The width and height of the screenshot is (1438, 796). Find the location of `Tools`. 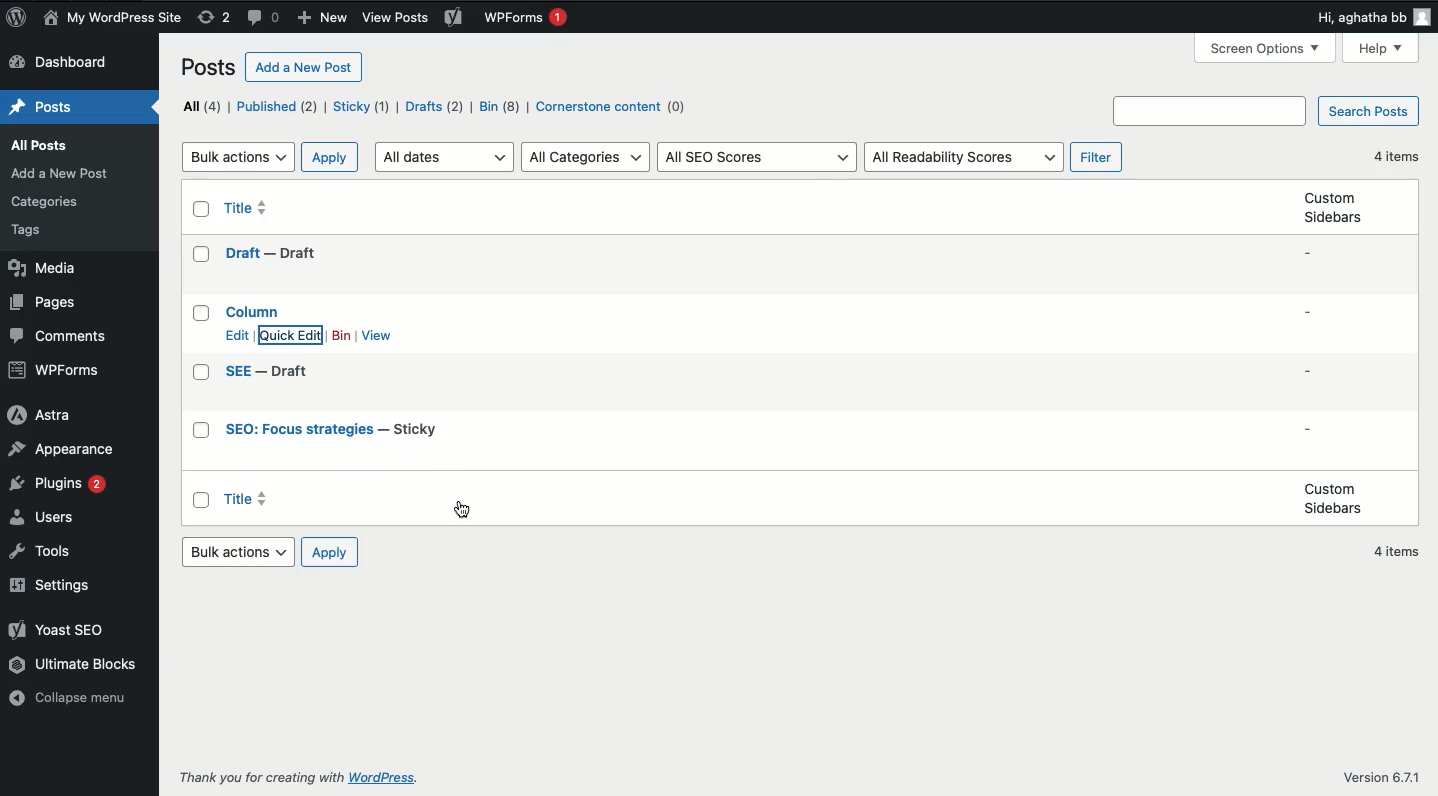

Tools is located at coordinates (48, 554).